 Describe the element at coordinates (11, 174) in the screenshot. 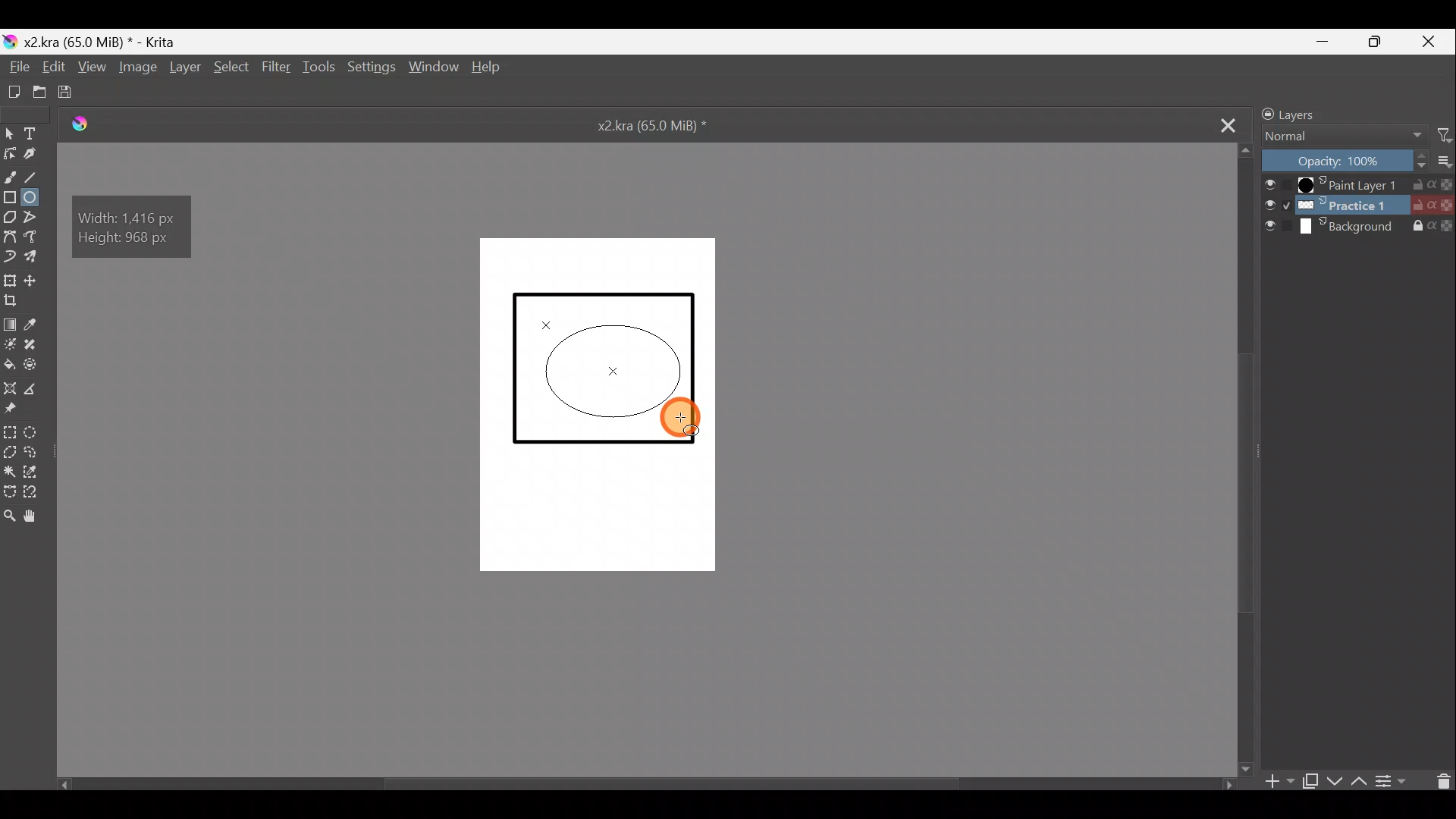

I see `Freehand brush tool` at that location.